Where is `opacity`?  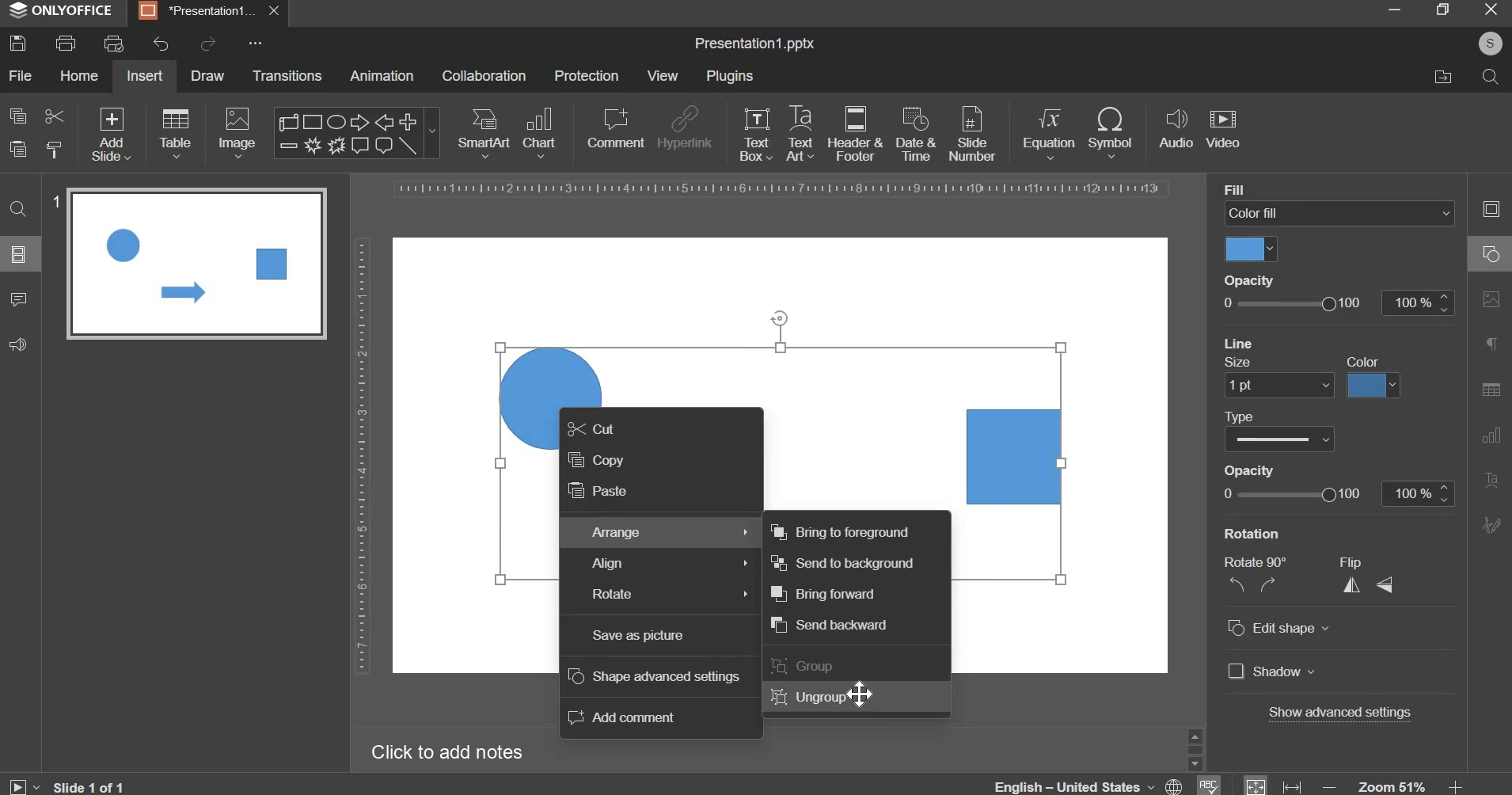
opacity is located at coordinates (1257, 282).